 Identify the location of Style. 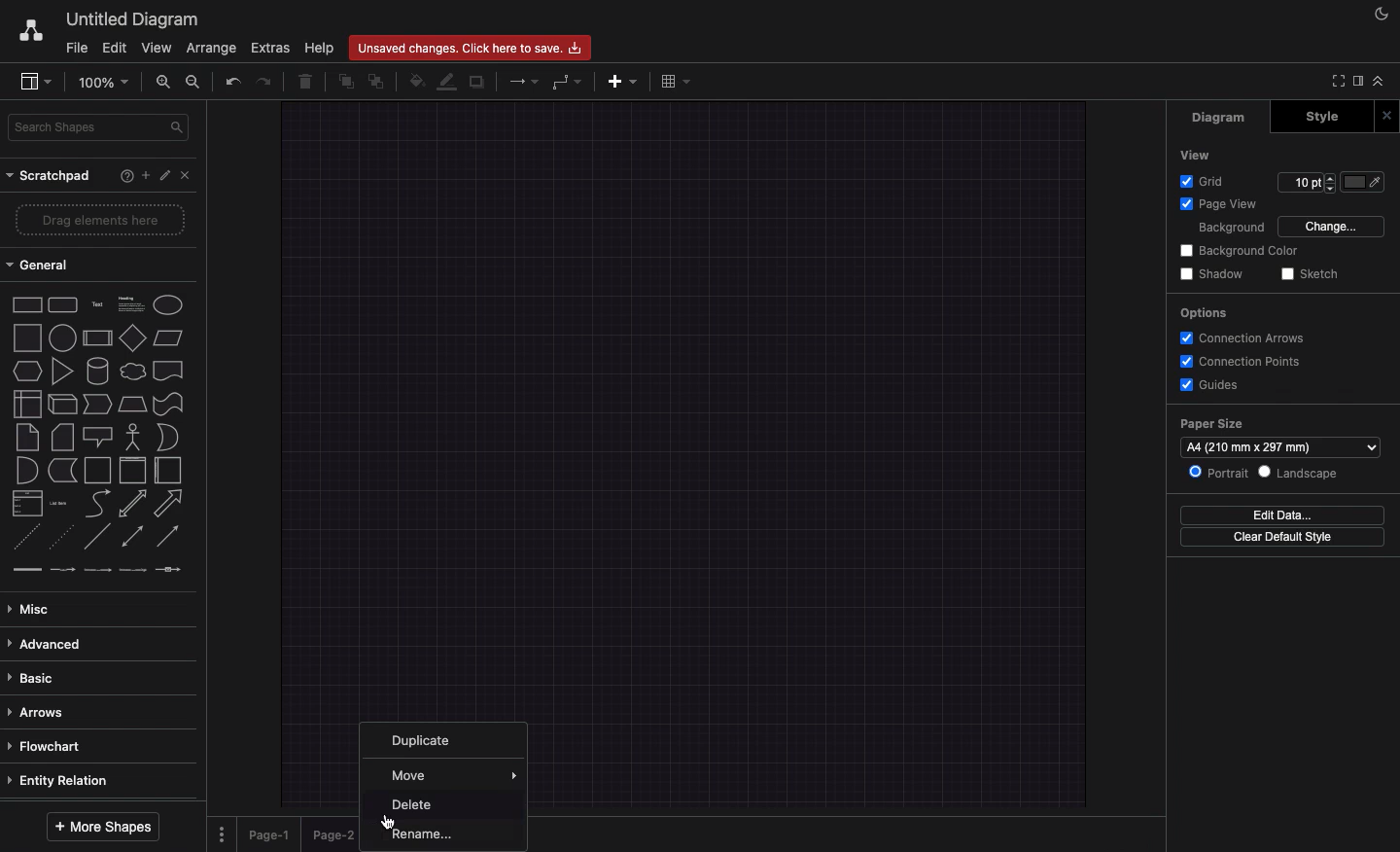
(1321, 116).